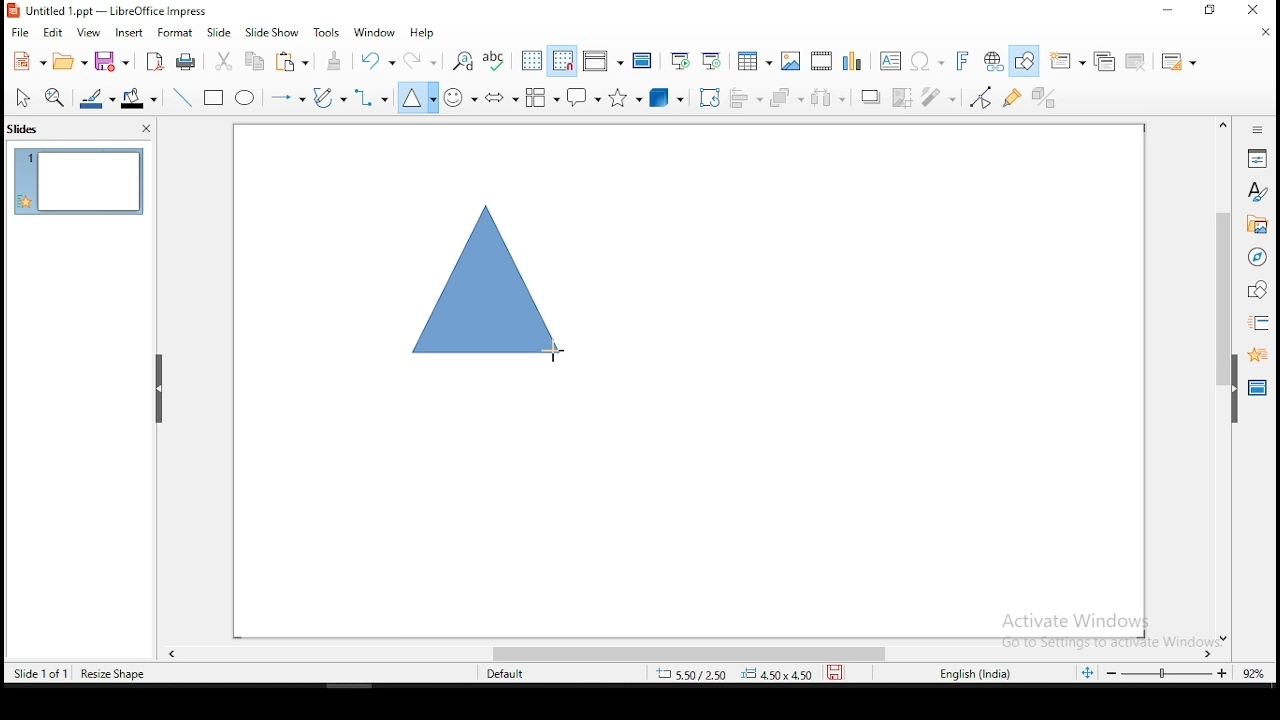  I want to click on active shape, so click(491, 286).